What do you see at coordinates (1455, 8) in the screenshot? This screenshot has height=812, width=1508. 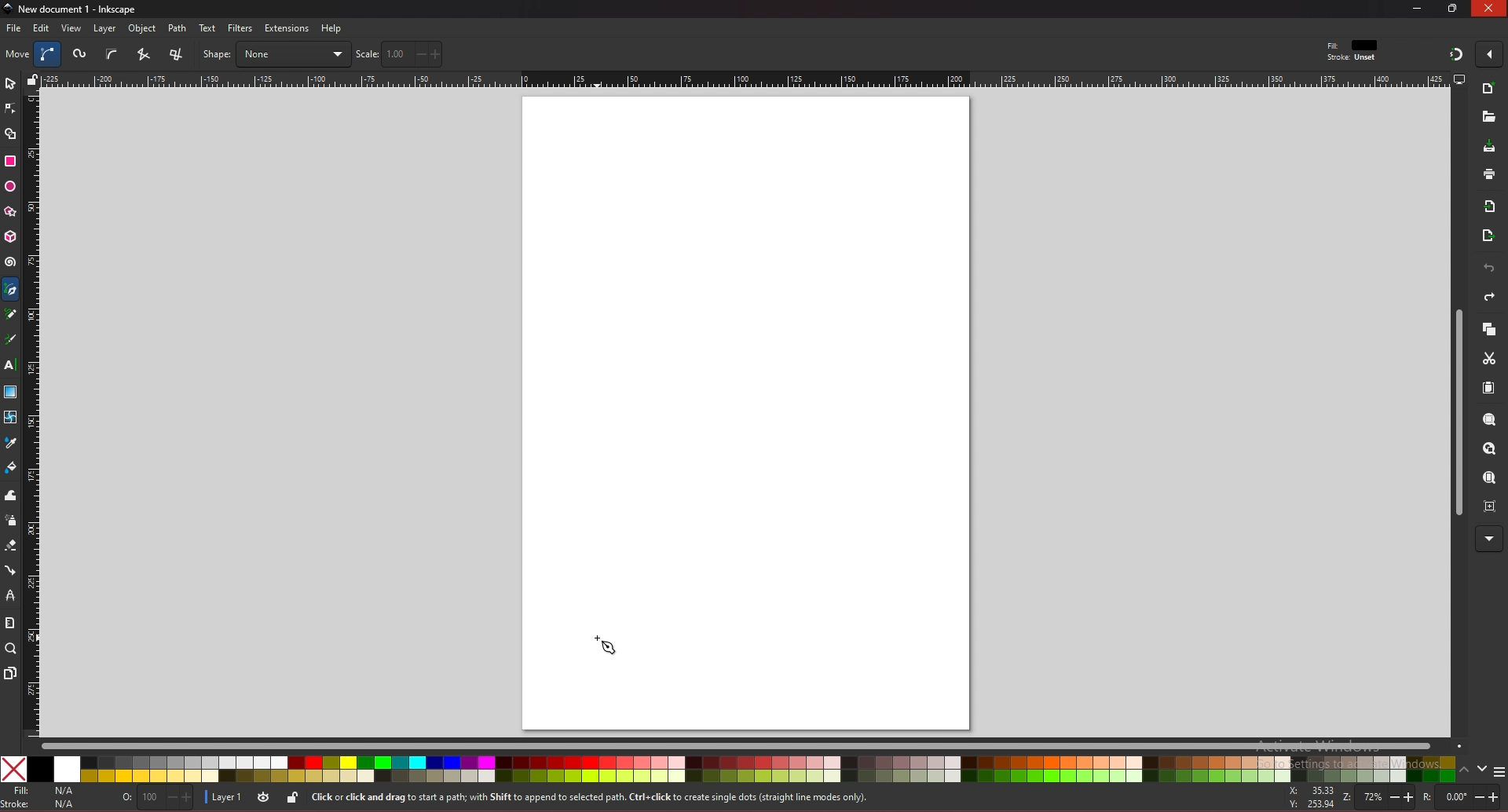 I see `resize` at bounding box center [1455, 8].